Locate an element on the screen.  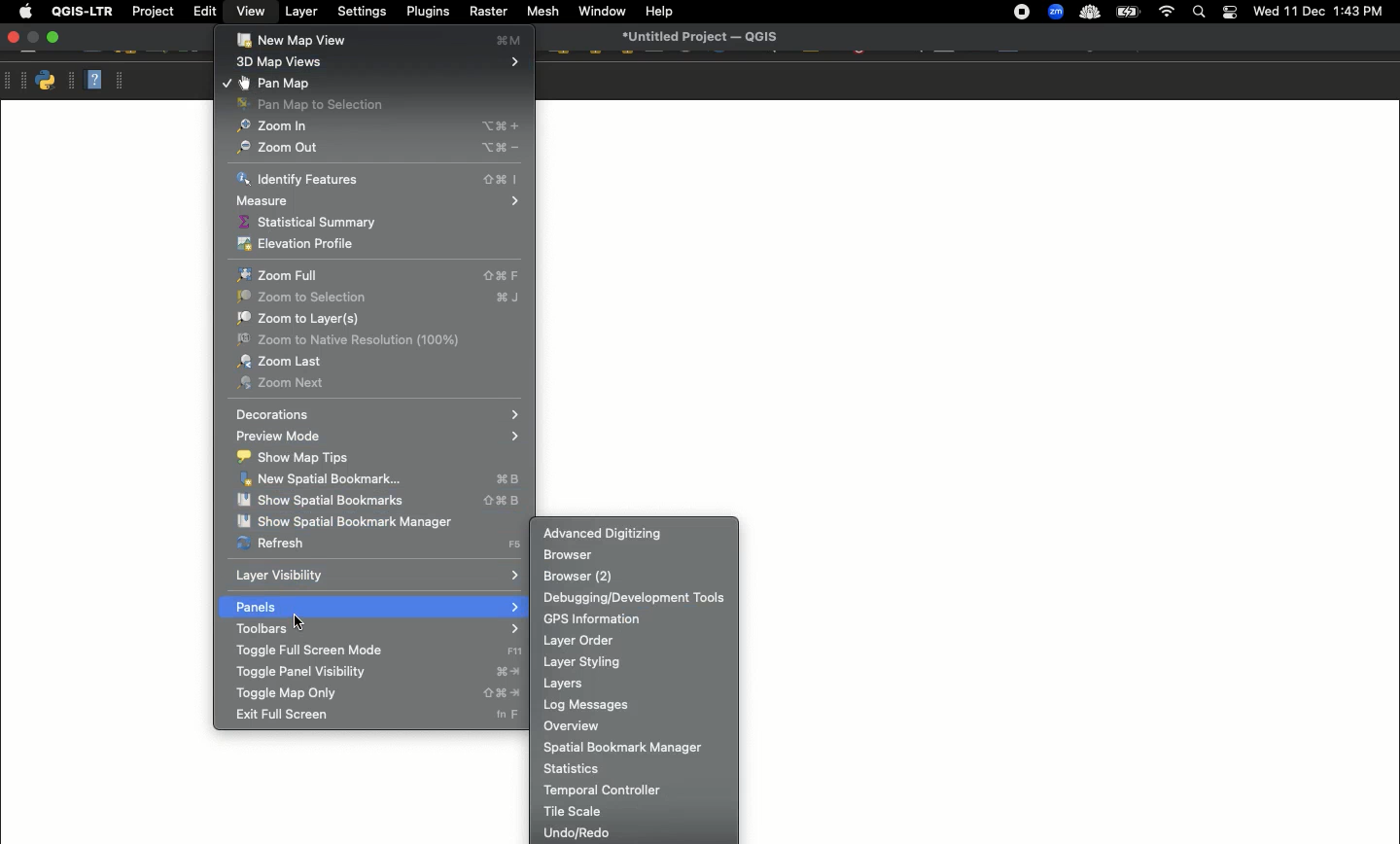
Recording is located at coordinates (1022, 13).